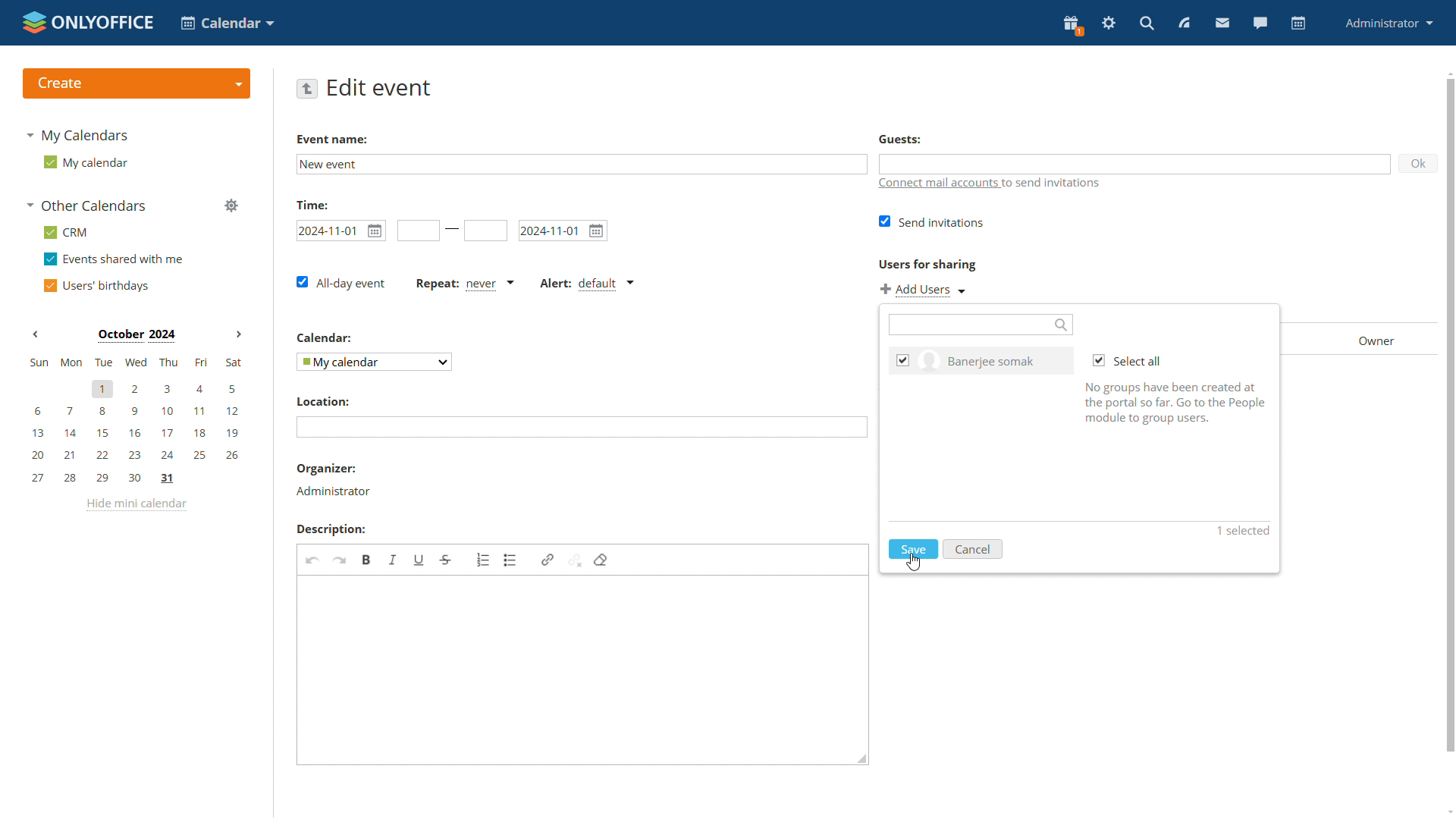 This screenshot has width=1456, height=819. Describe the element at coordinates (418, 561) in the screenshot. I see `underline` at that location.